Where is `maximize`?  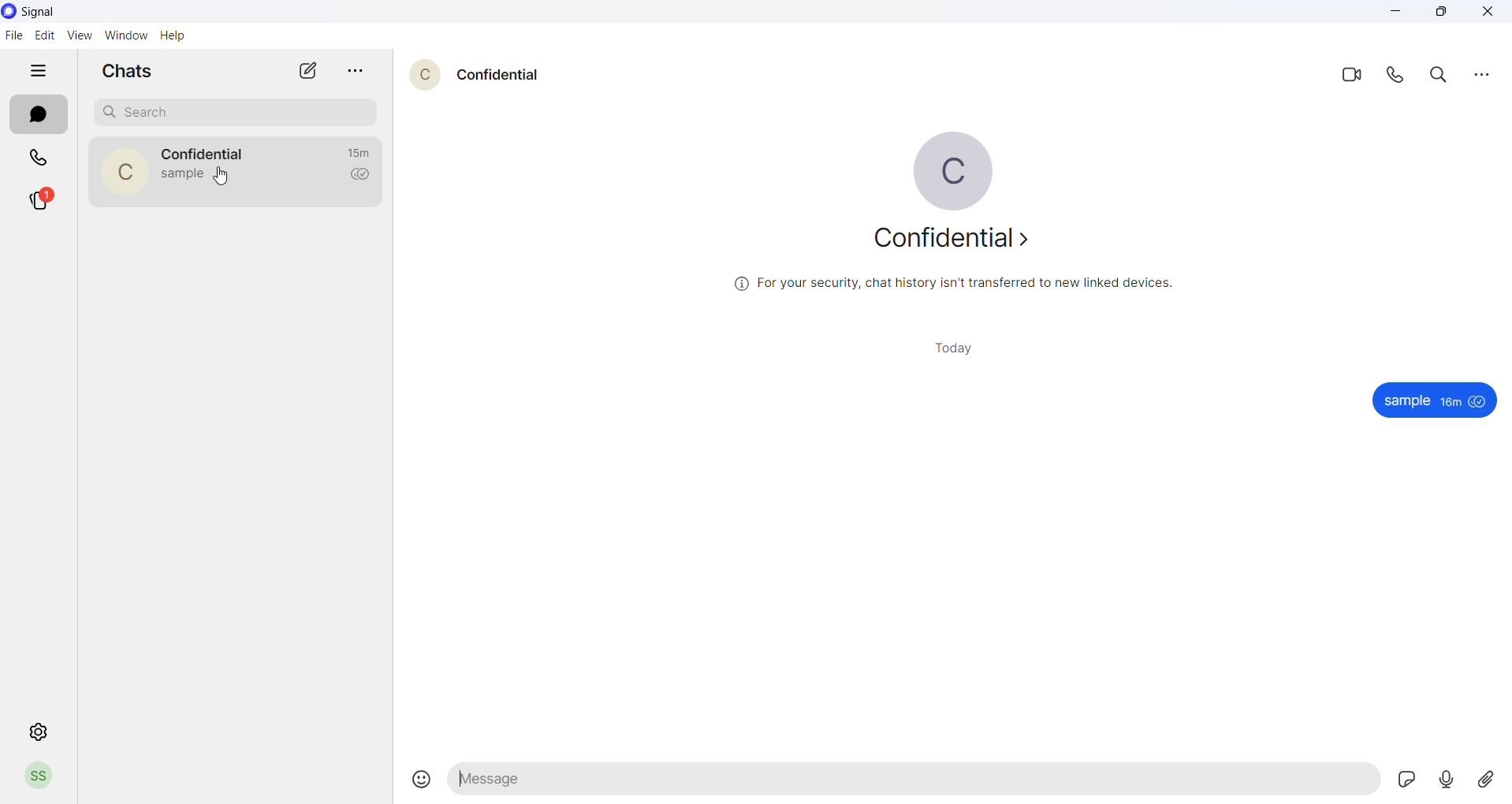
maximize is located at coordinates (1443, 14).